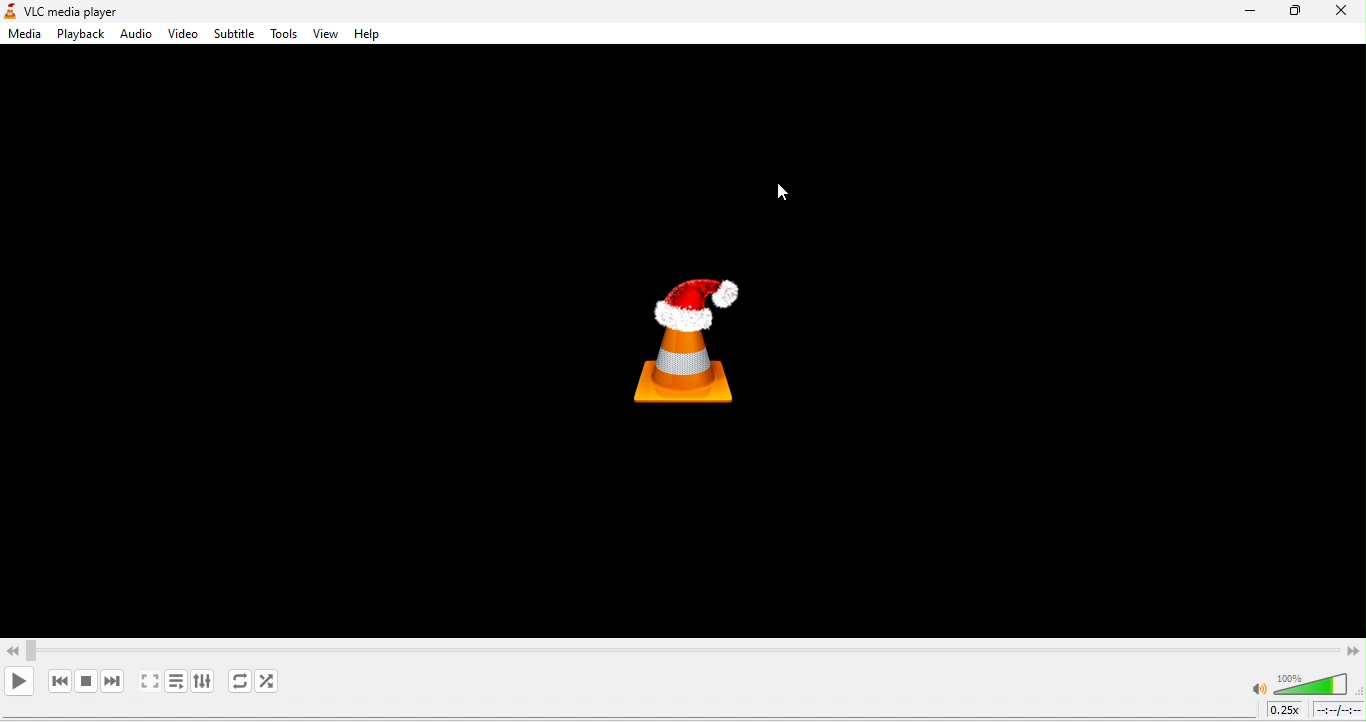 This screenshot has height=722, width=1366. Describe the element at coordinates (19, 685) in the screenshot. I see `play` at that location.